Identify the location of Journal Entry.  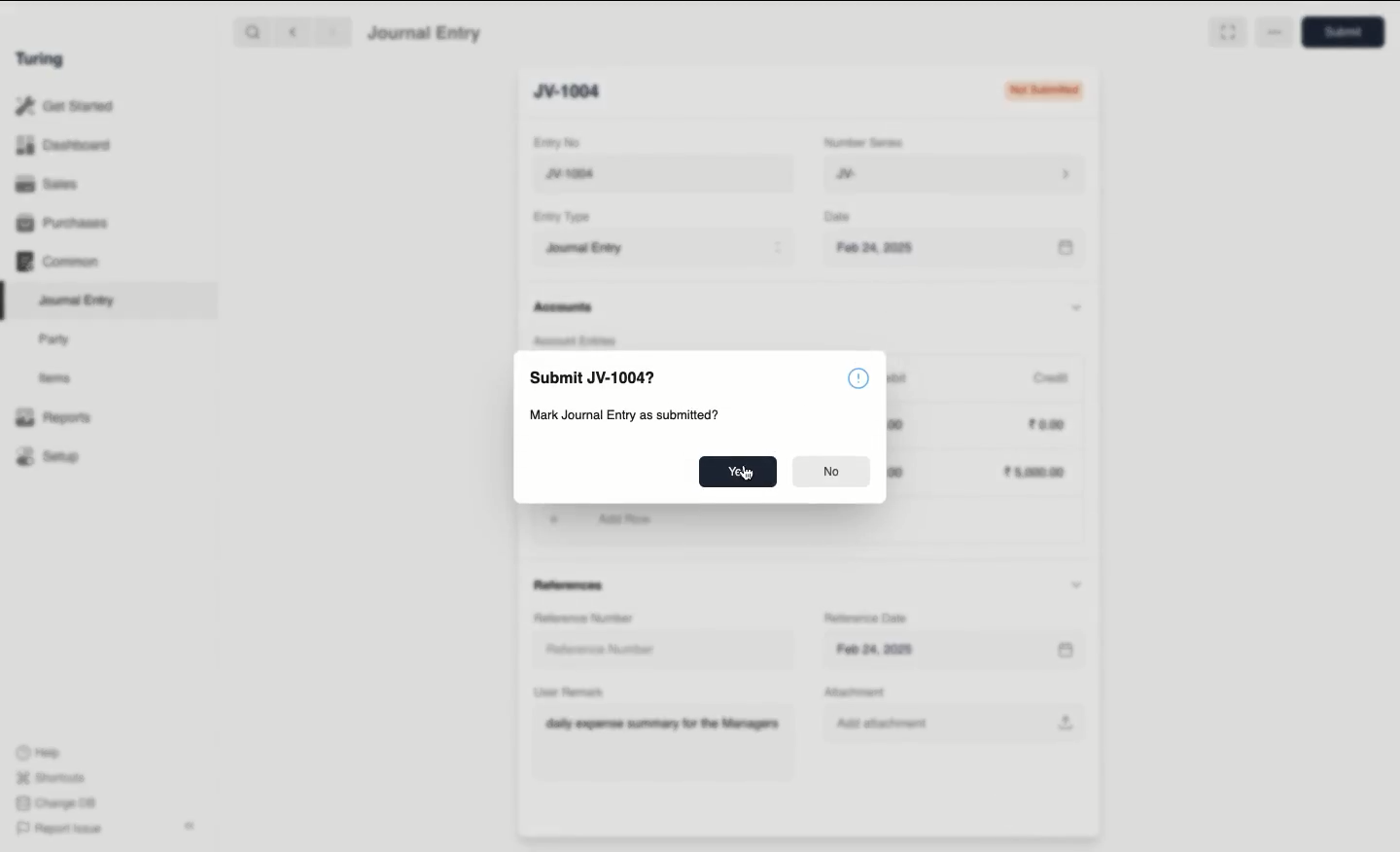
(78, 302).